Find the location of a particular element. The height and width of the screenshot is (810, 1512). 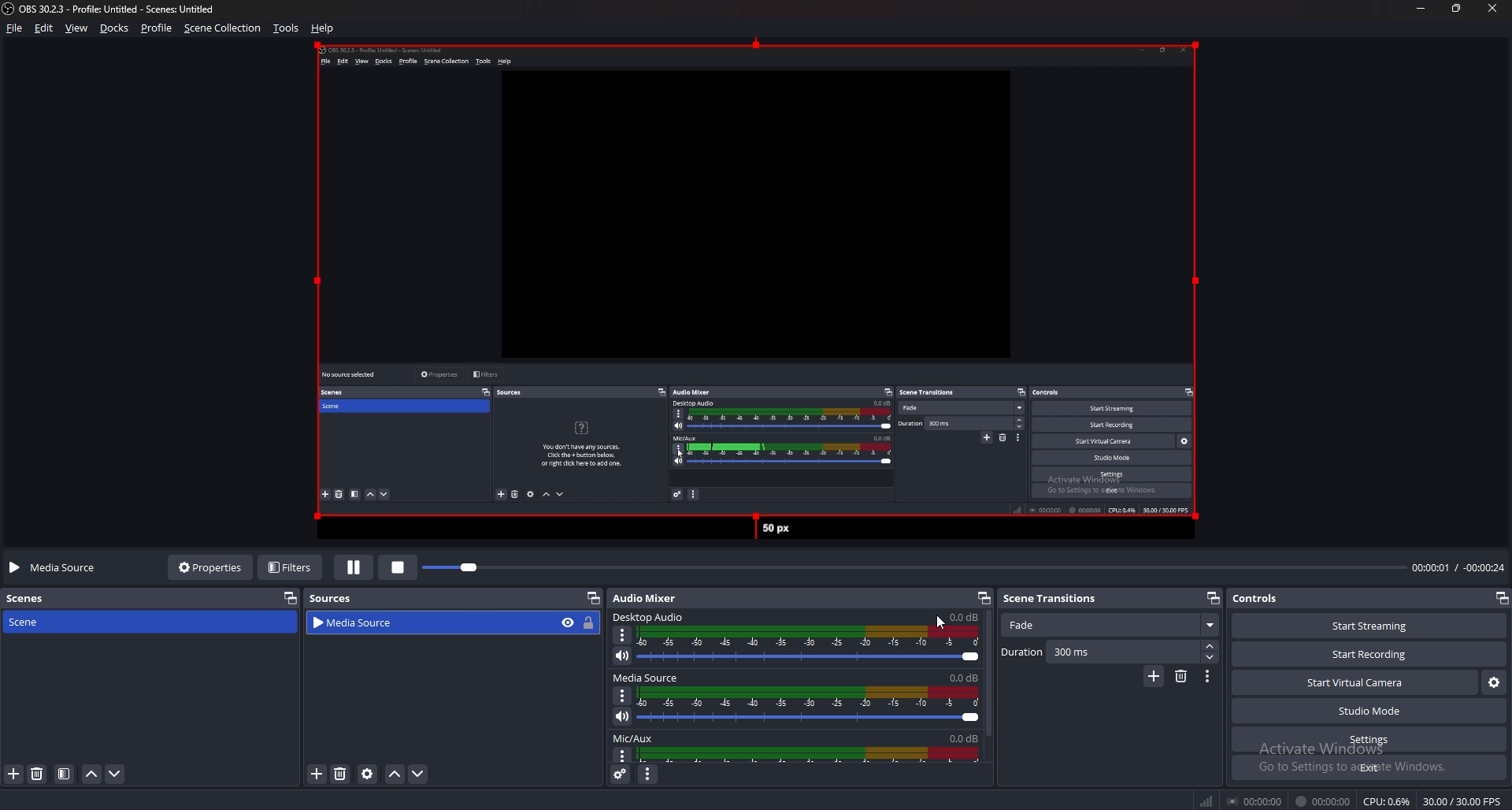

 Audio mixer menu is located at coordinates (647, 775).